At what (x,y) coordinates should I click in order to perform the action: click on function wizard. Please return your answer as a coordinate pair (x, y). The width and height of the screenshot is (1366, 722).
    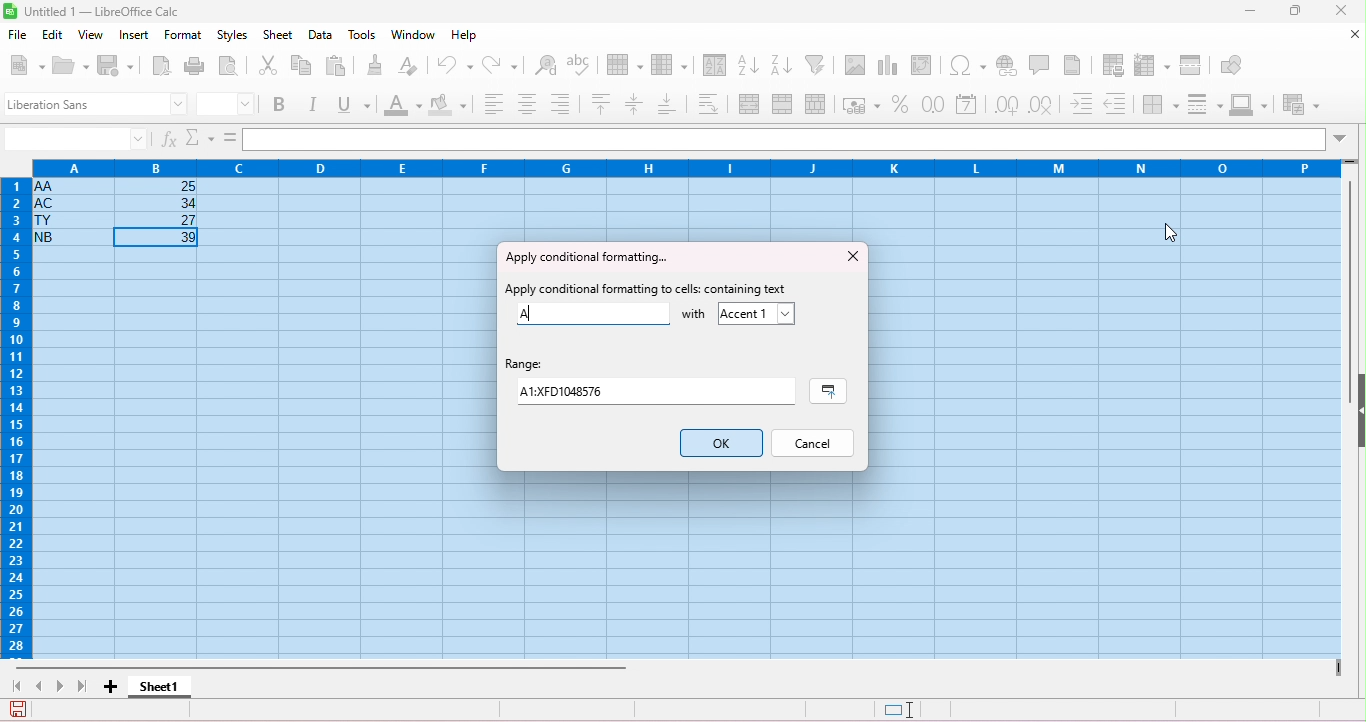
    Looking at the image, I should click on (172, 140).